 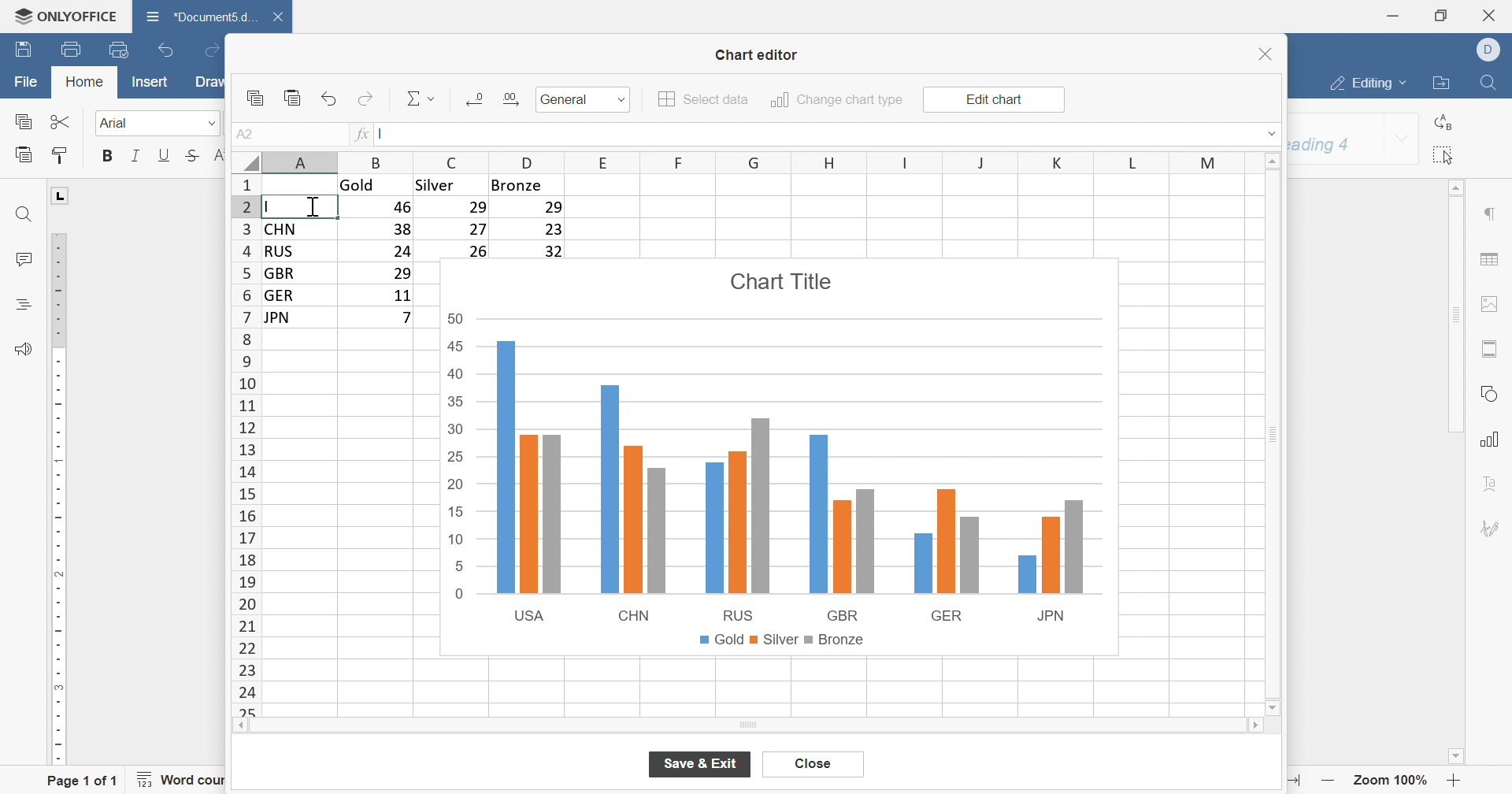 I want to click on table settings, so click(x=1489, y=259).